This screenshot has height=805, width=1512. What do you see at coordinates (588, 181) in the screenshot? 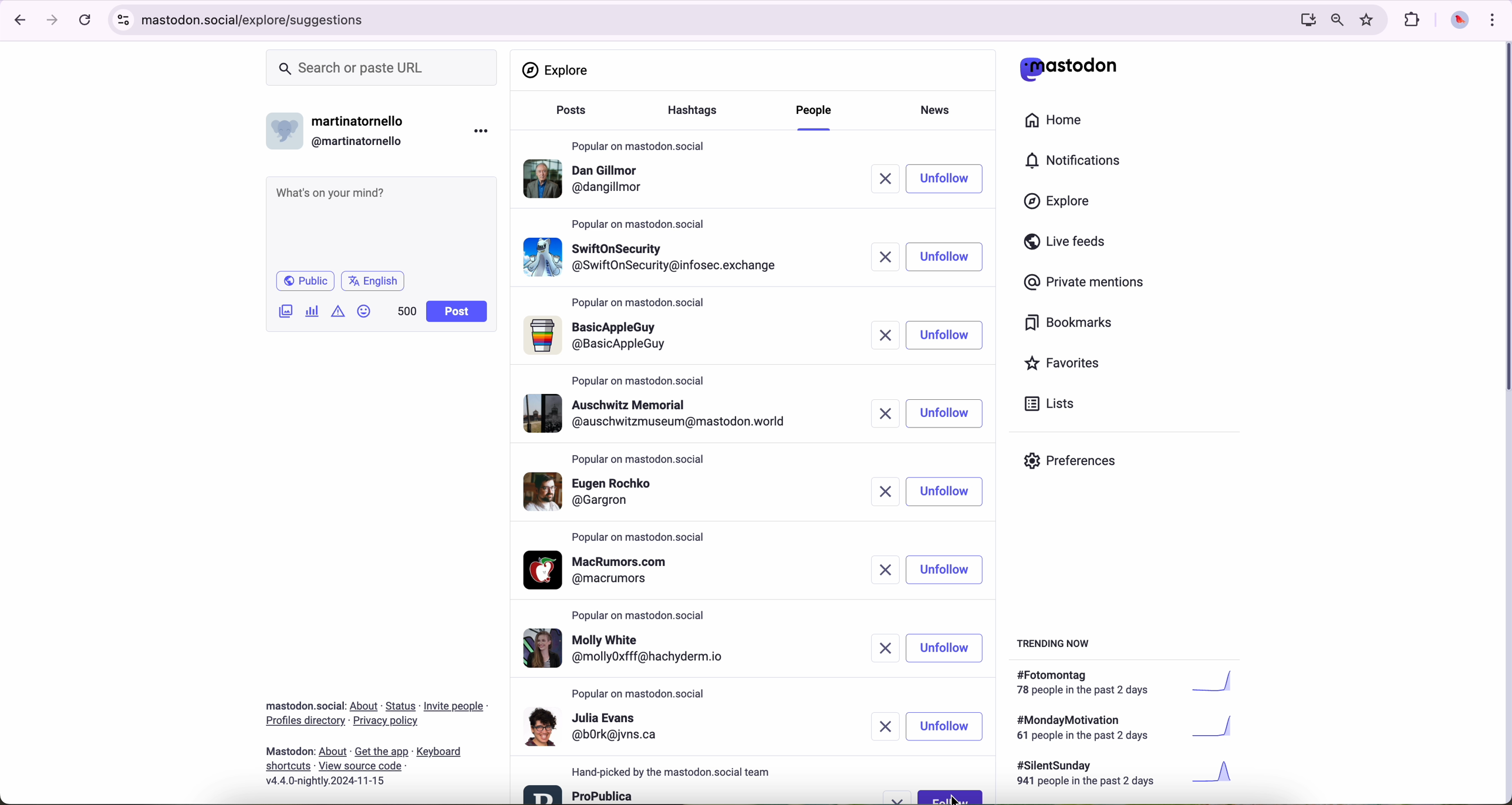
I see `profile` at bounding box center [588, 181].